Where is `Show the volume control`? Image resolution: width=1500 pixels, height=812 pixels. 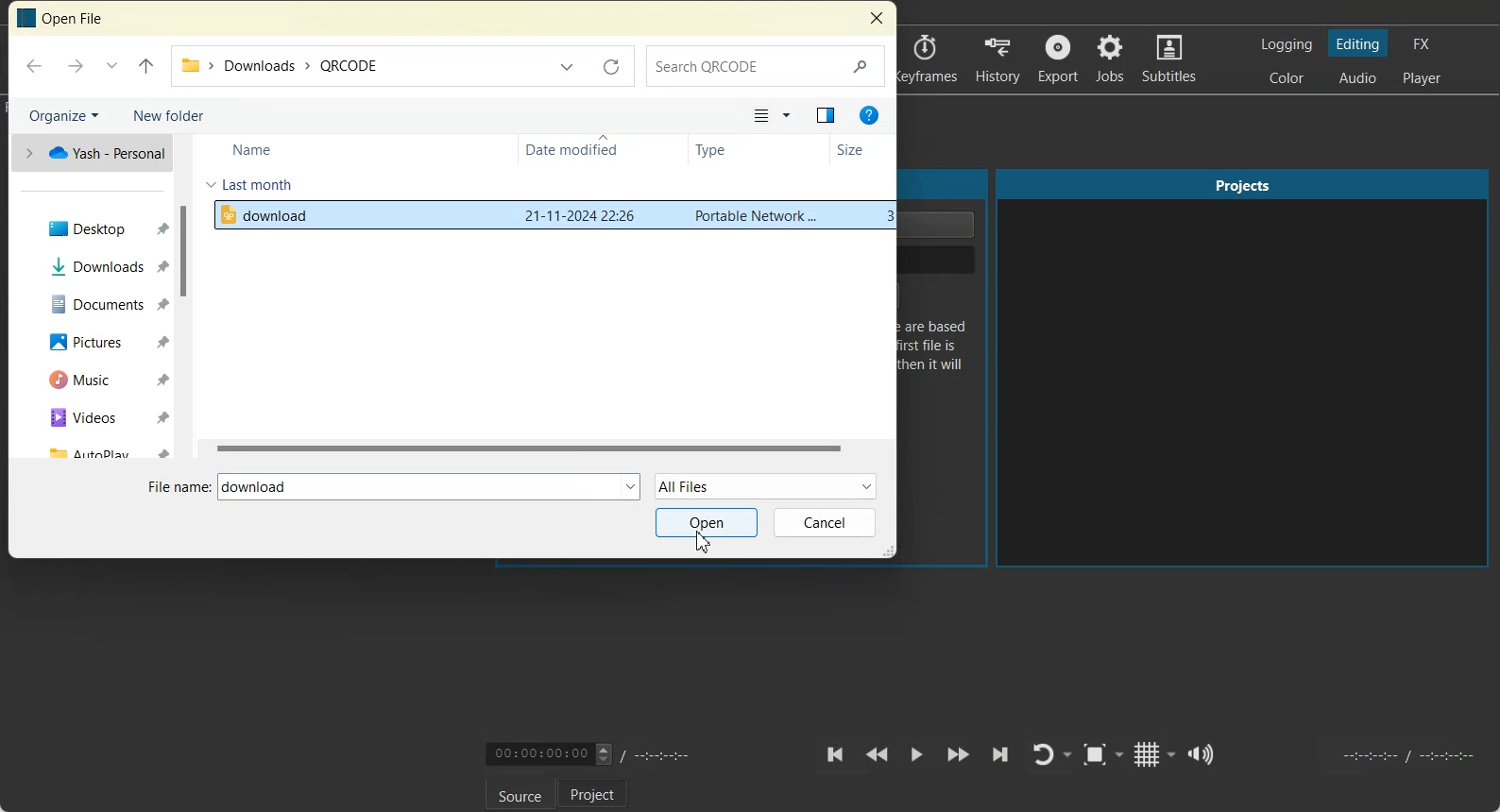 Show the volume control is located at coordinates (1203, 754).